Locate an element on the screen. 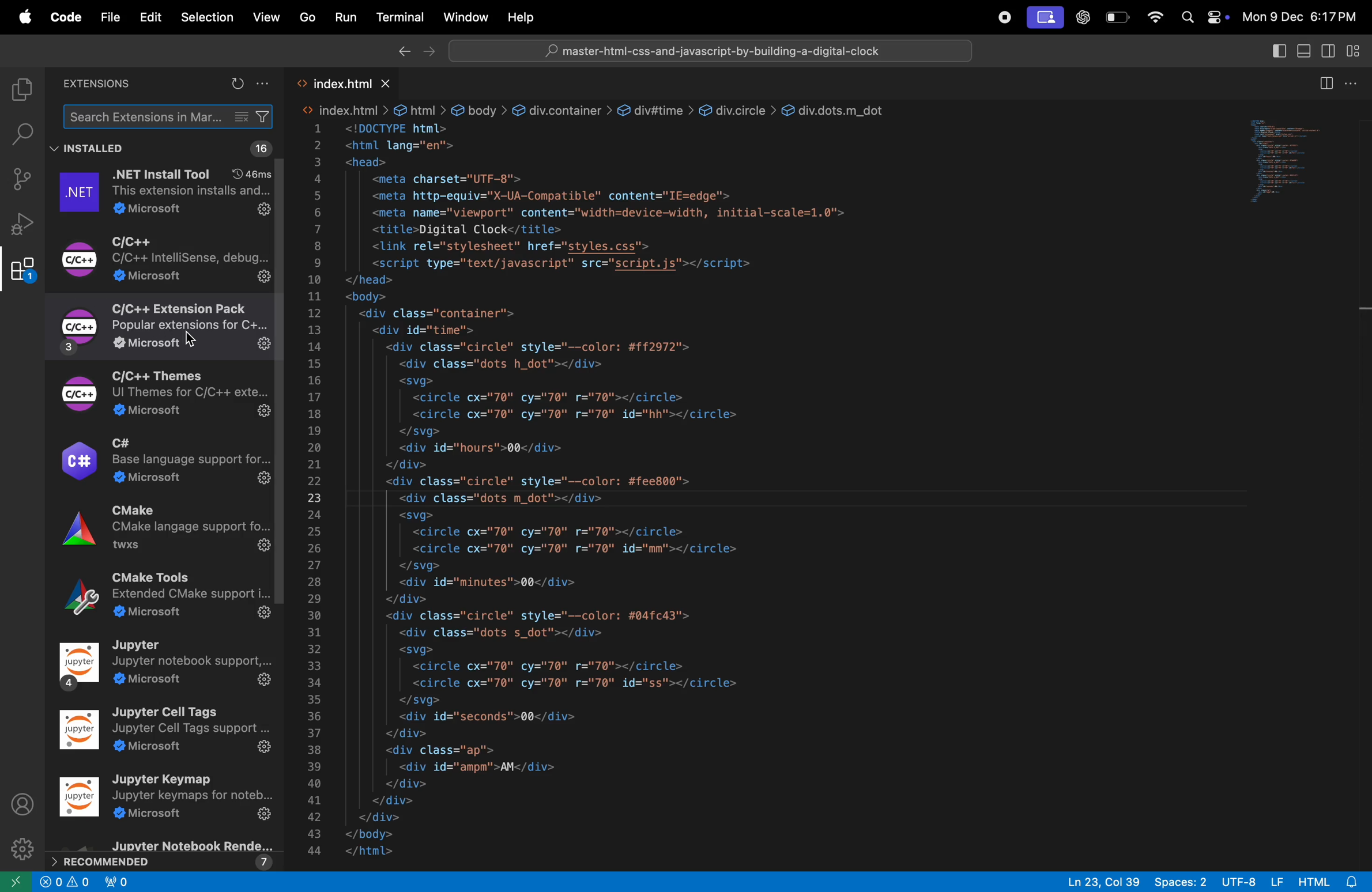  Go is located at coordinates (308, 17).